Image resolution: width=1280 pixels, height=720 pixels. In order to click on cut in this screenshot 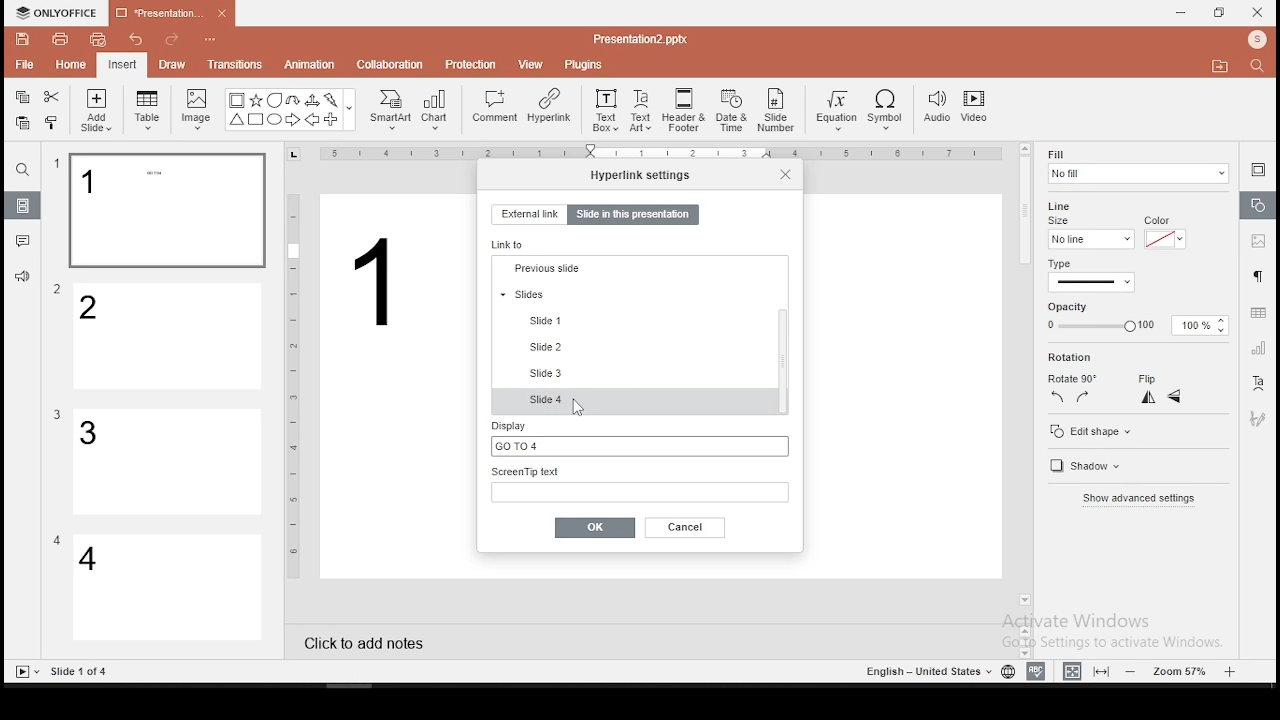, I will do `click(52, 96)`.